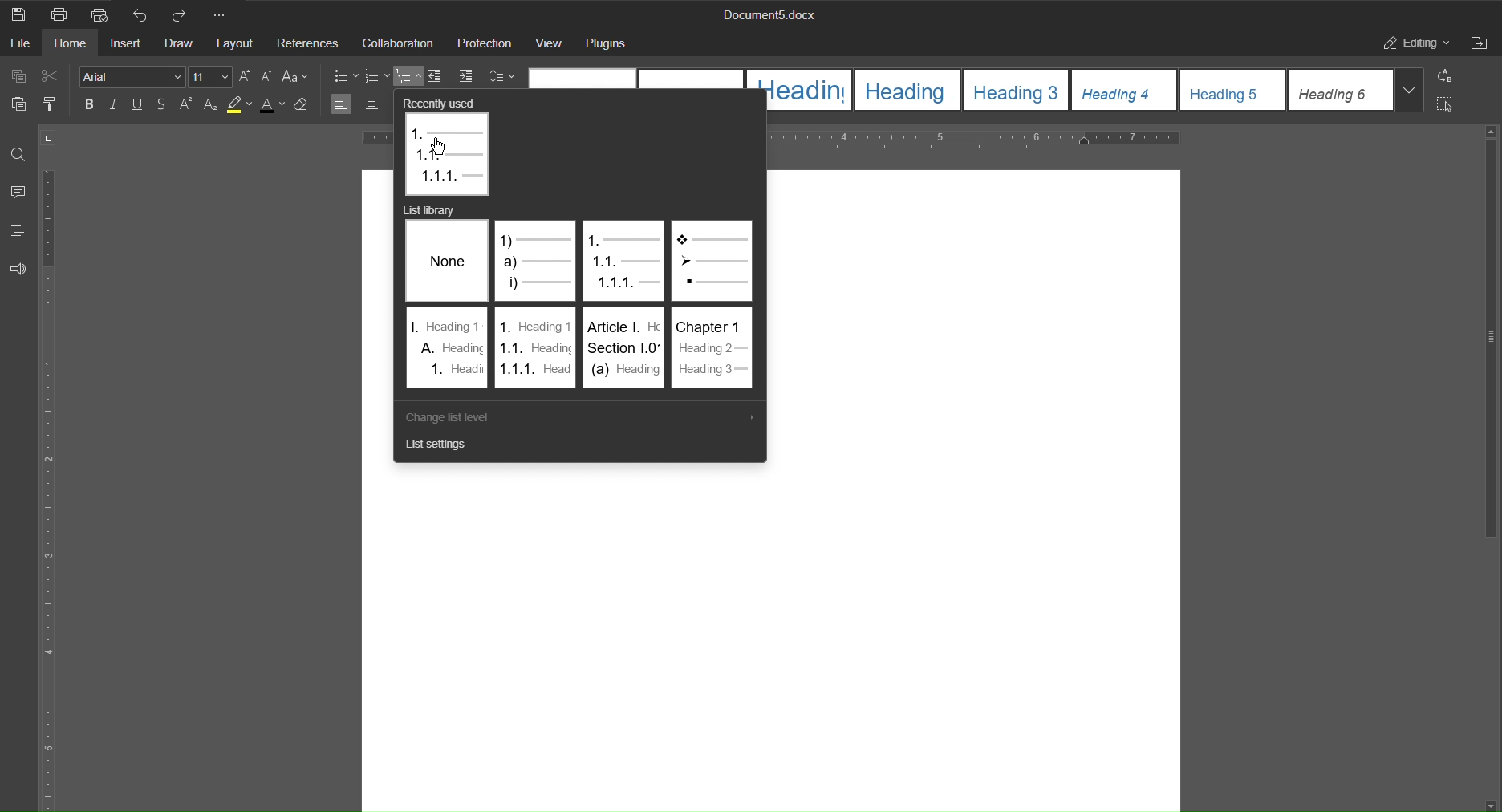  What do you see at coordinates (242, 104) in the screenshot?
I see `Highlight` at bounding box center [242, 104].